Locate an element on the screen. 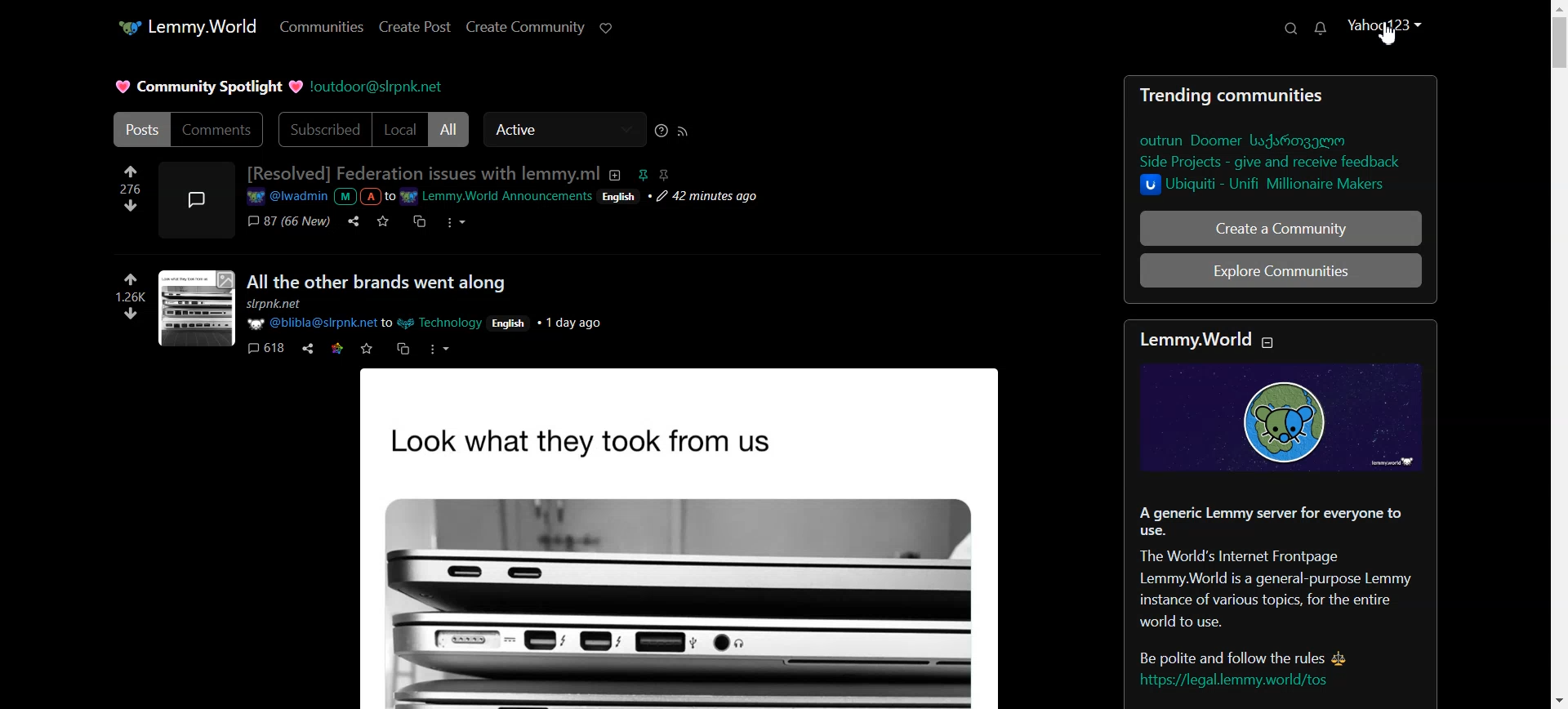  Active is located at coordinates (564, 129).